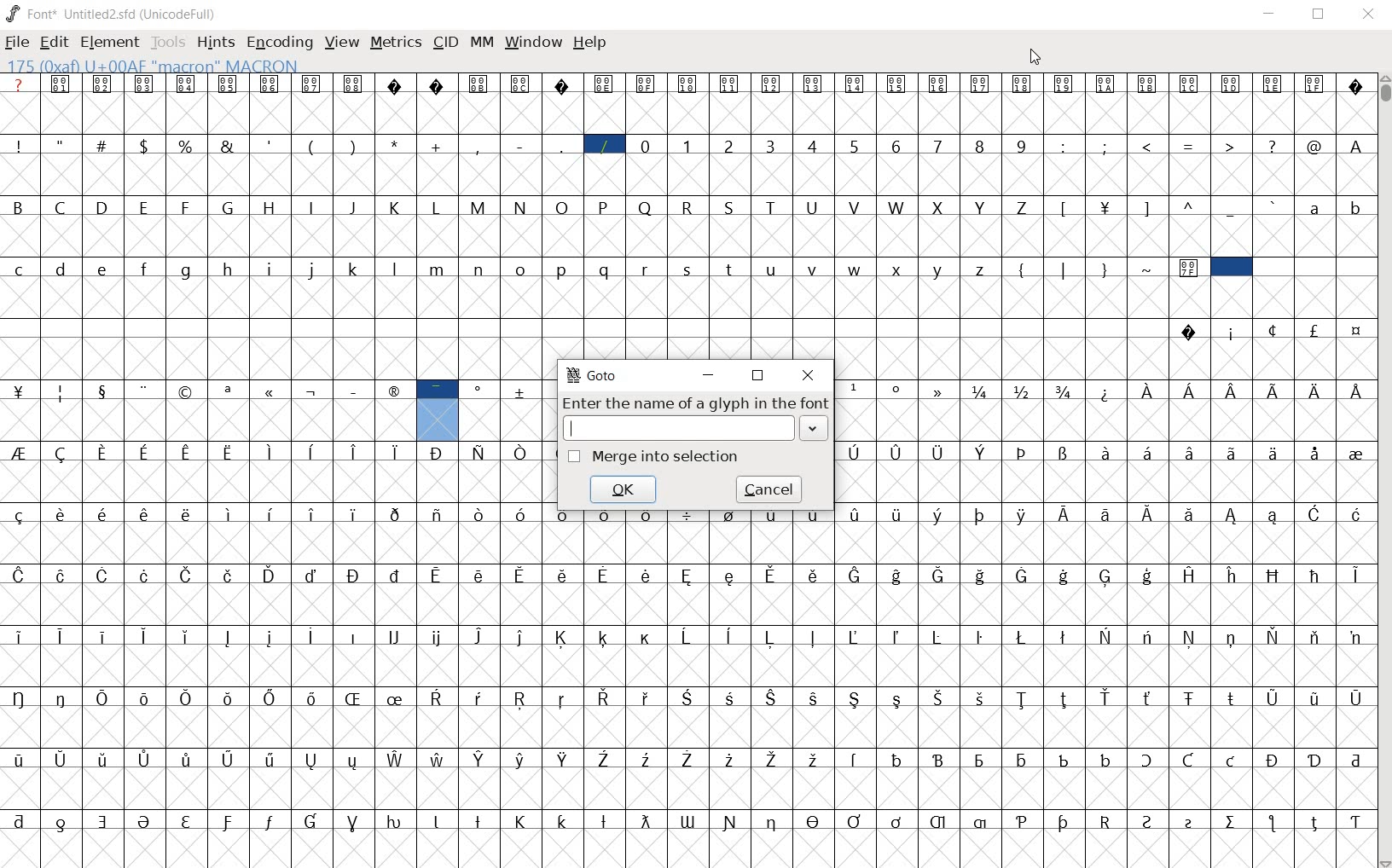 The width and height of the screenshot is (1392, 868). Describe the element at coordinates (897, 473) in the screenshot. I see `Latin extended characters` at that location.